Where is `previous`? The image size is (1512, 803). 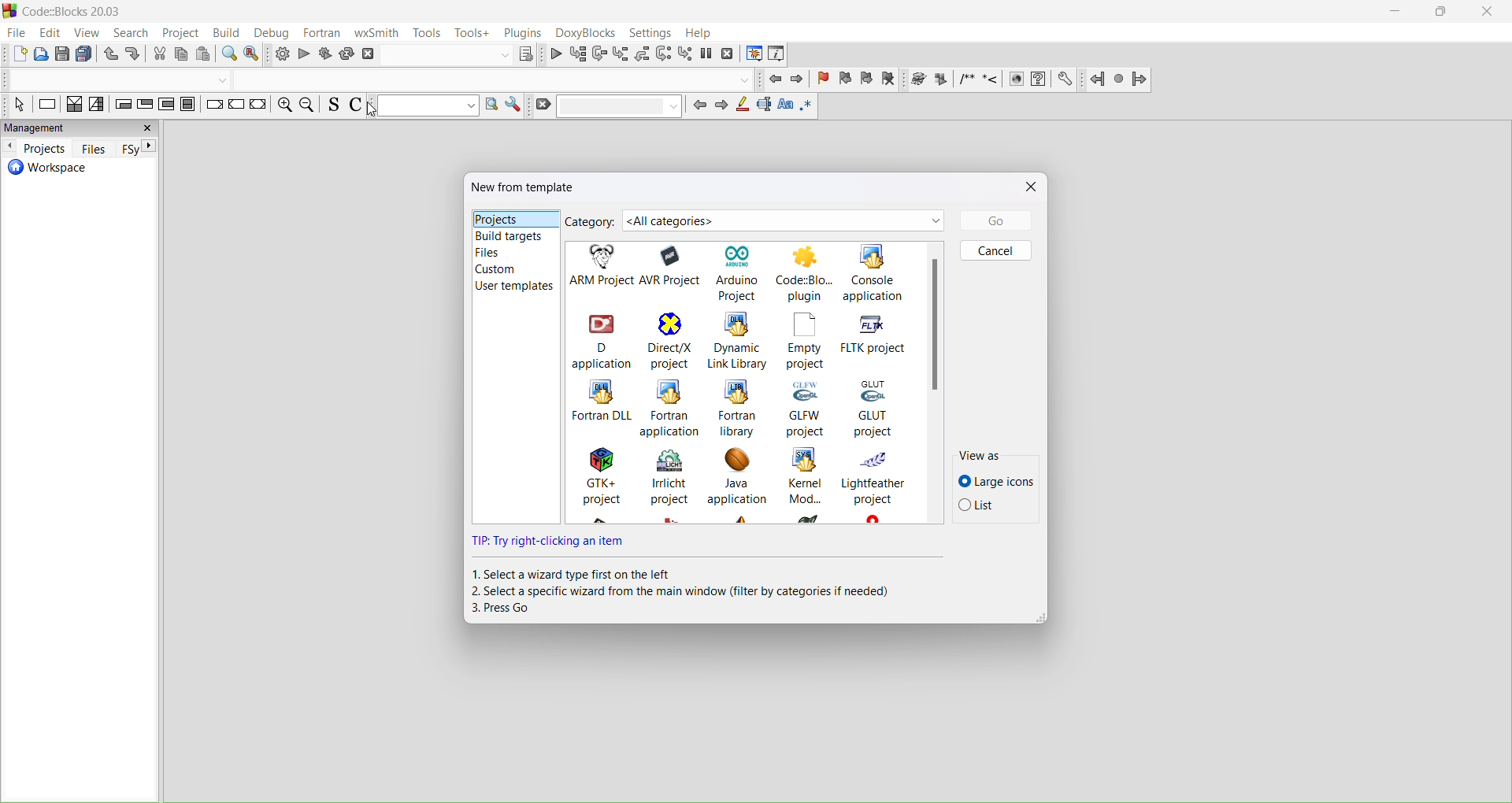
previous is located at coordinates (701, 109).